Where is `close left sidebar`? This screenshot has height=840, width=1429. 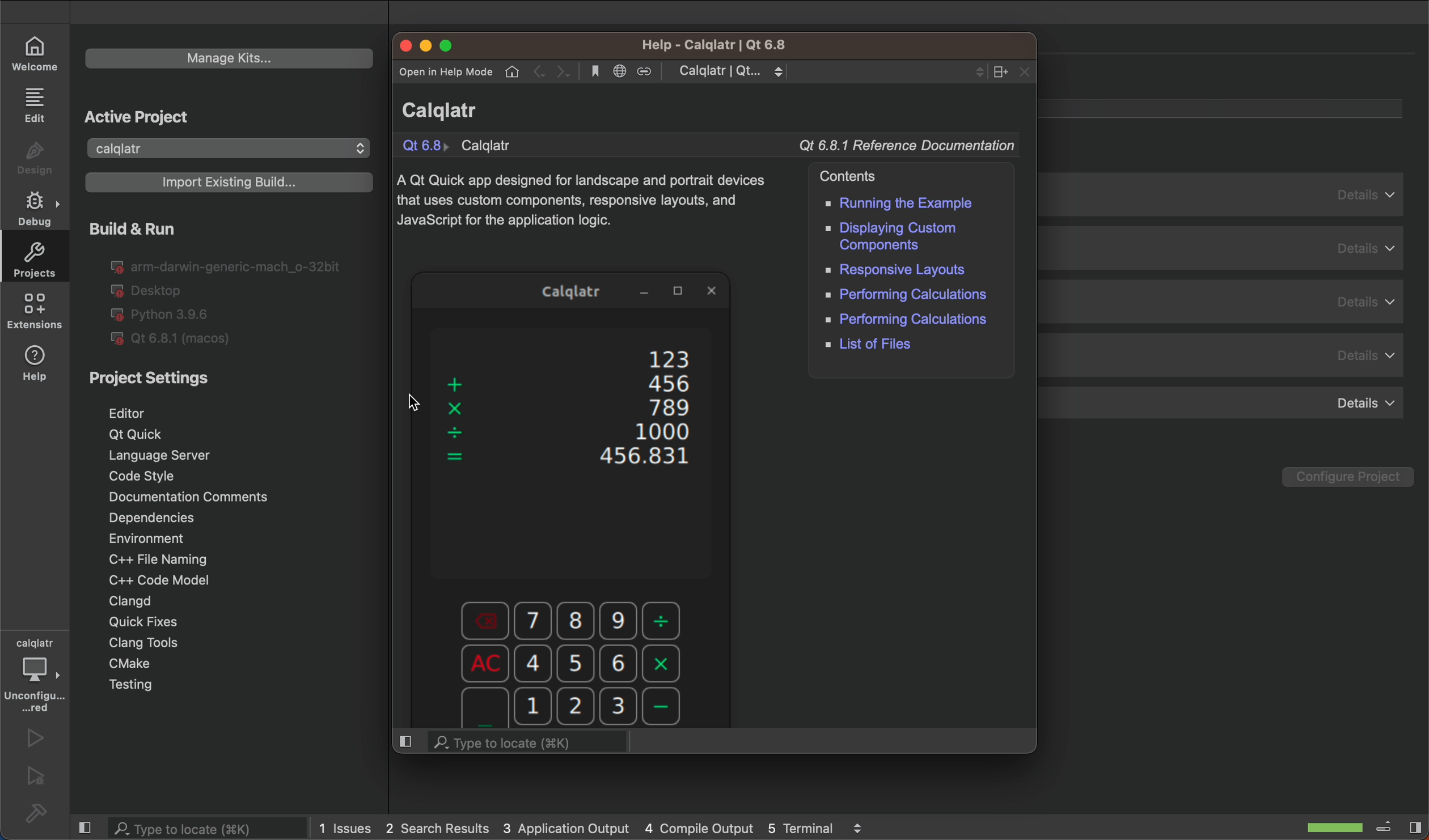 close left sidebar is located at coordinates (87, 826).